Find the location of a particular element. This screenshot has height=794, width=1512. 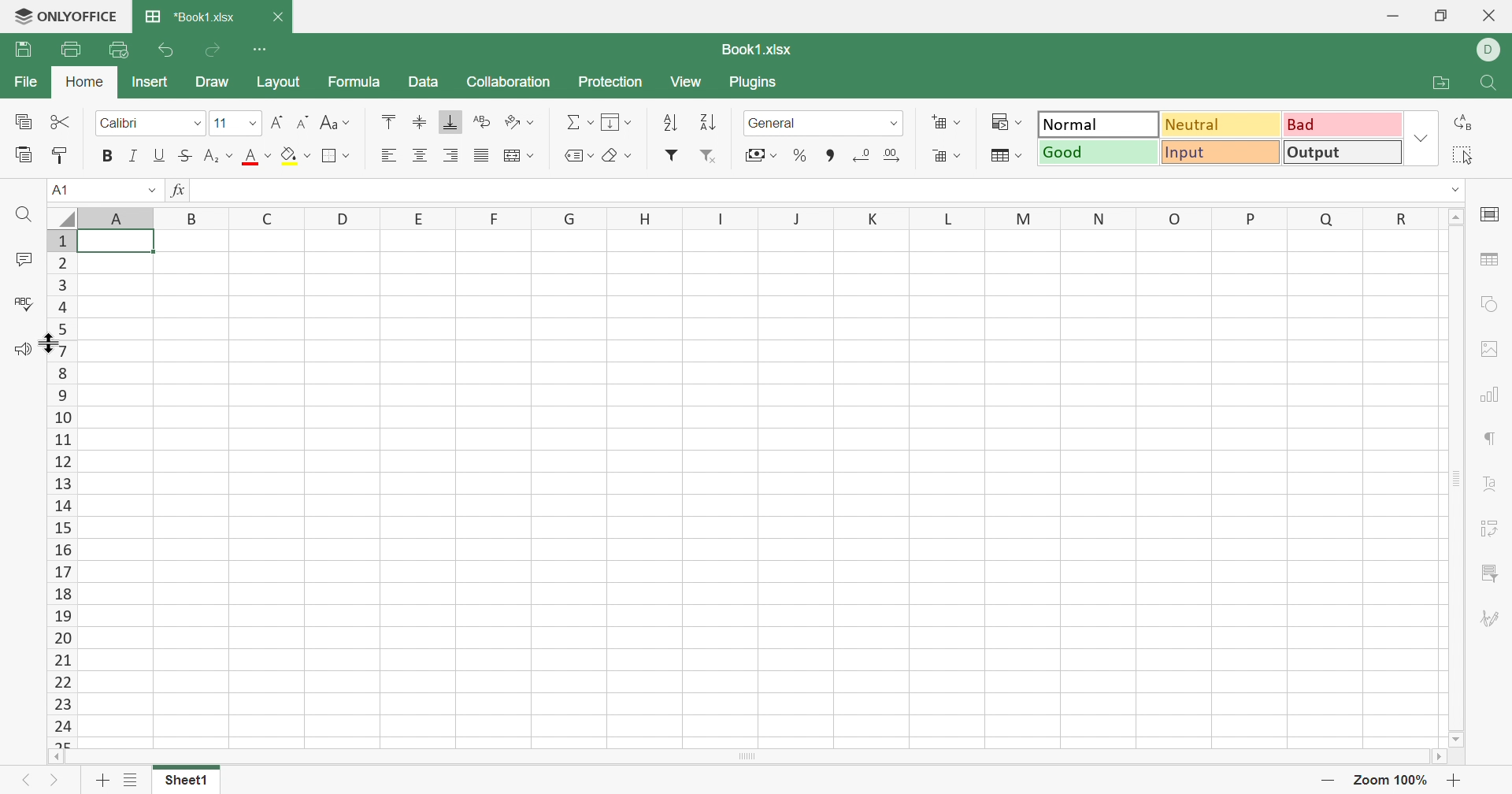

Decrement font size is located at coordinates (300, 124).